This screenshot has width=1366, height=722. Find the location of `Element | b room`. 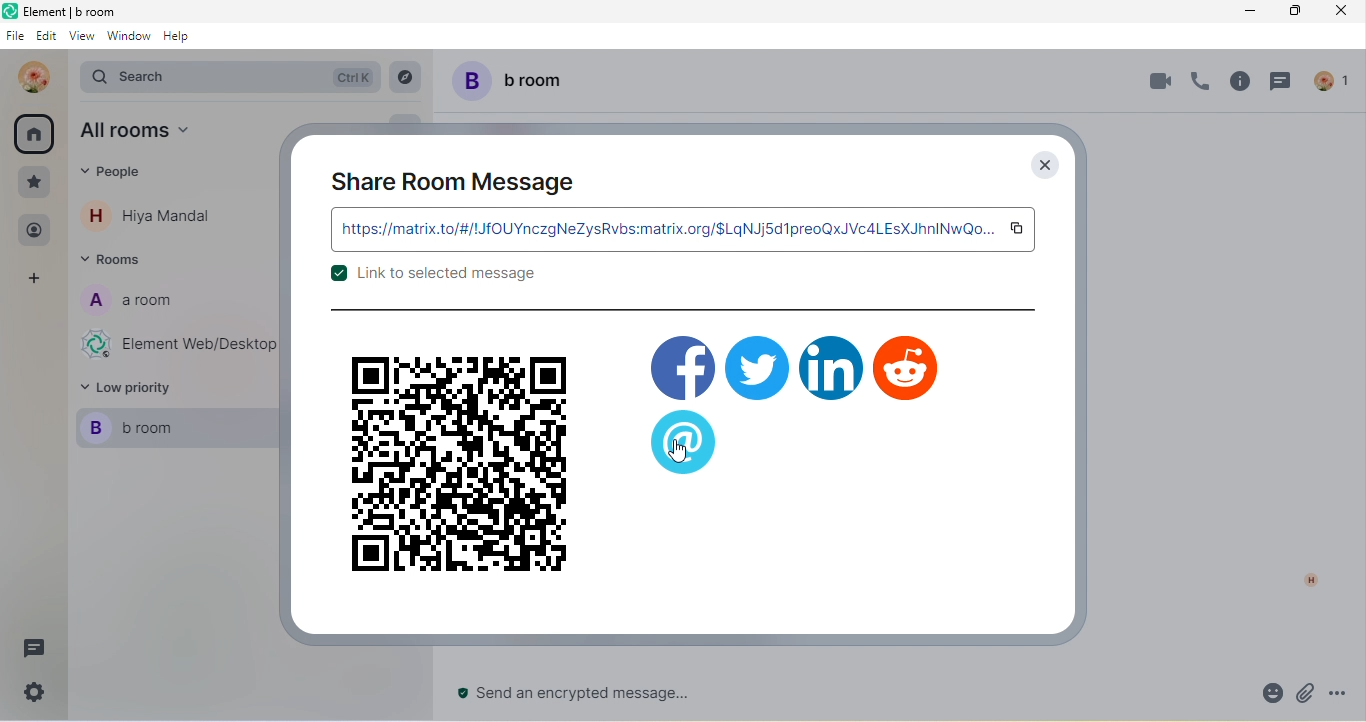

Element | b room is located at coordinates (82, 11).